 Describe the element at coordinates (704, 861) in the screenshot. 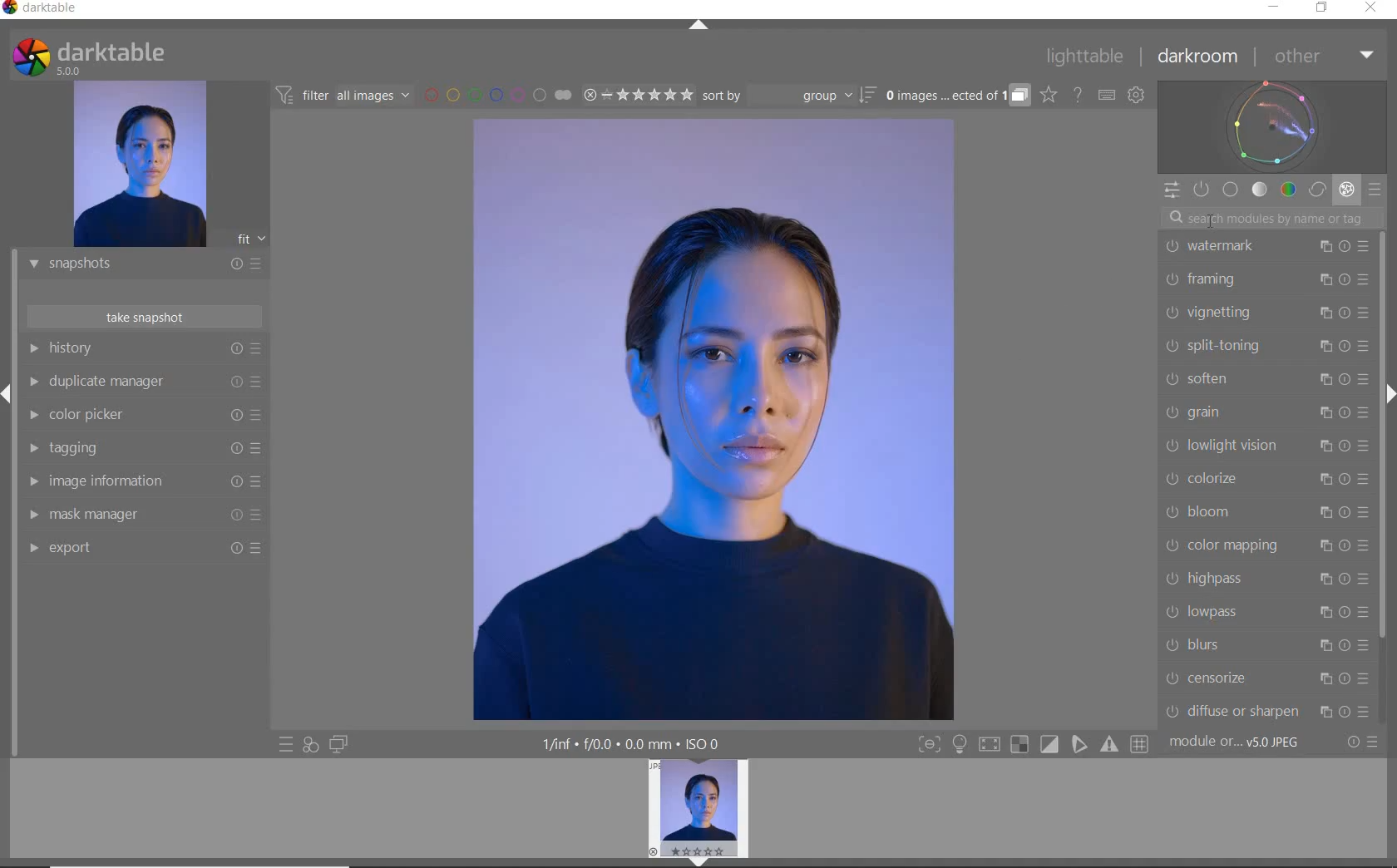

I see `EXPAND/COLLAPSE` at that location.